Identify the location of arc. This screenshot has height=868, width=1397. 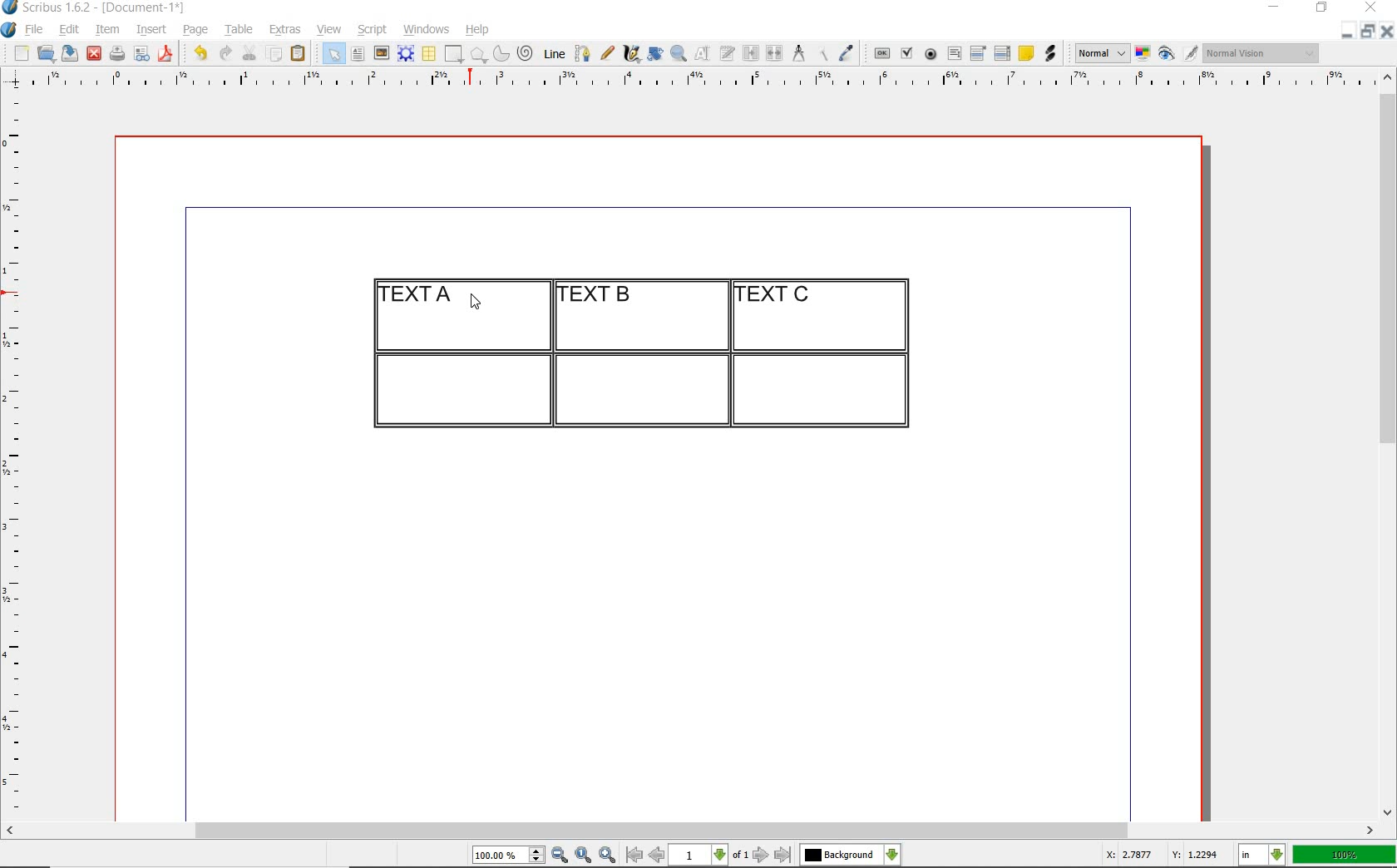
(501, 53).